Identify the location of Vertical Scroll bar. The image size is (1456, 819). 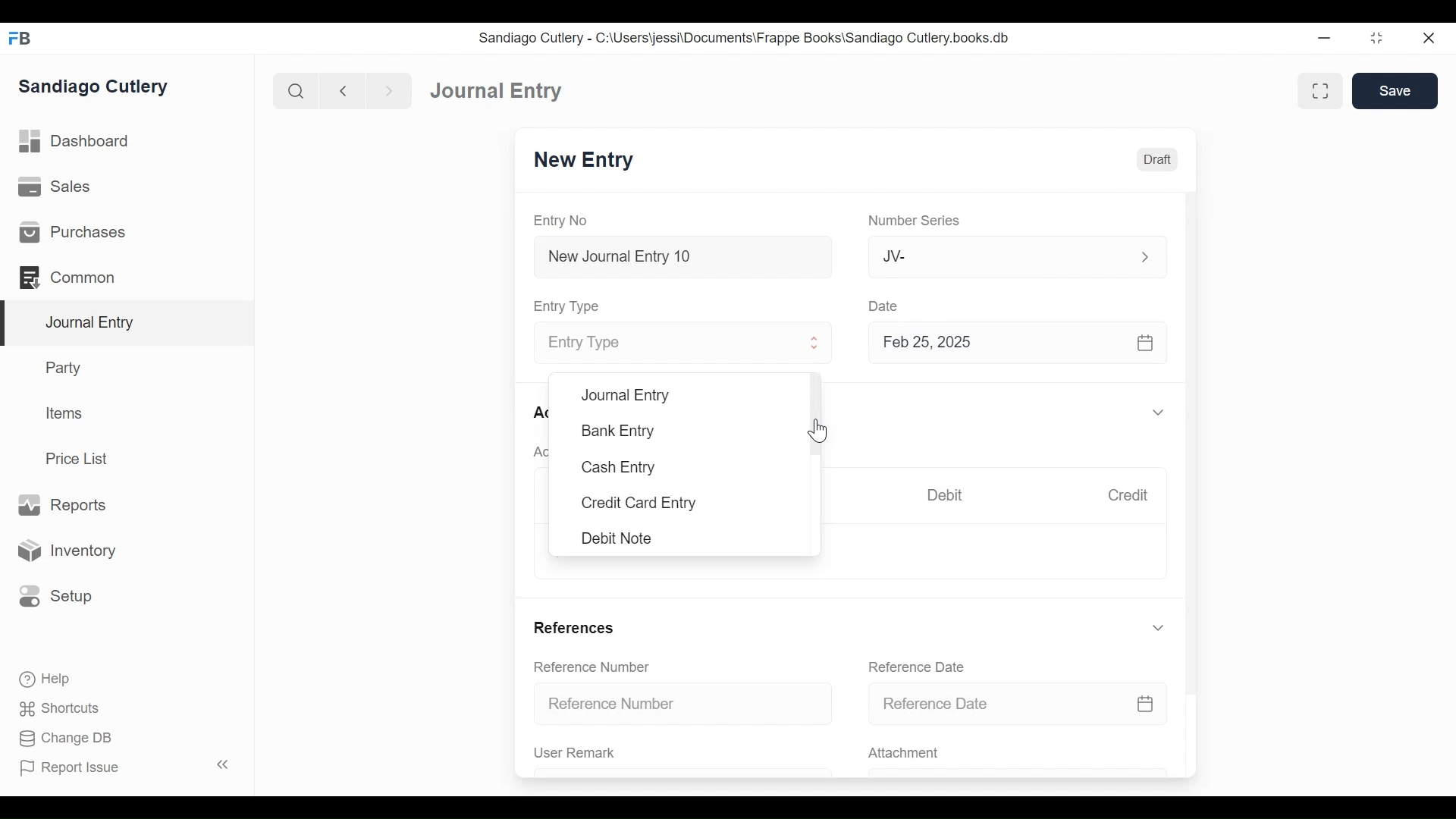
(1194, 434).